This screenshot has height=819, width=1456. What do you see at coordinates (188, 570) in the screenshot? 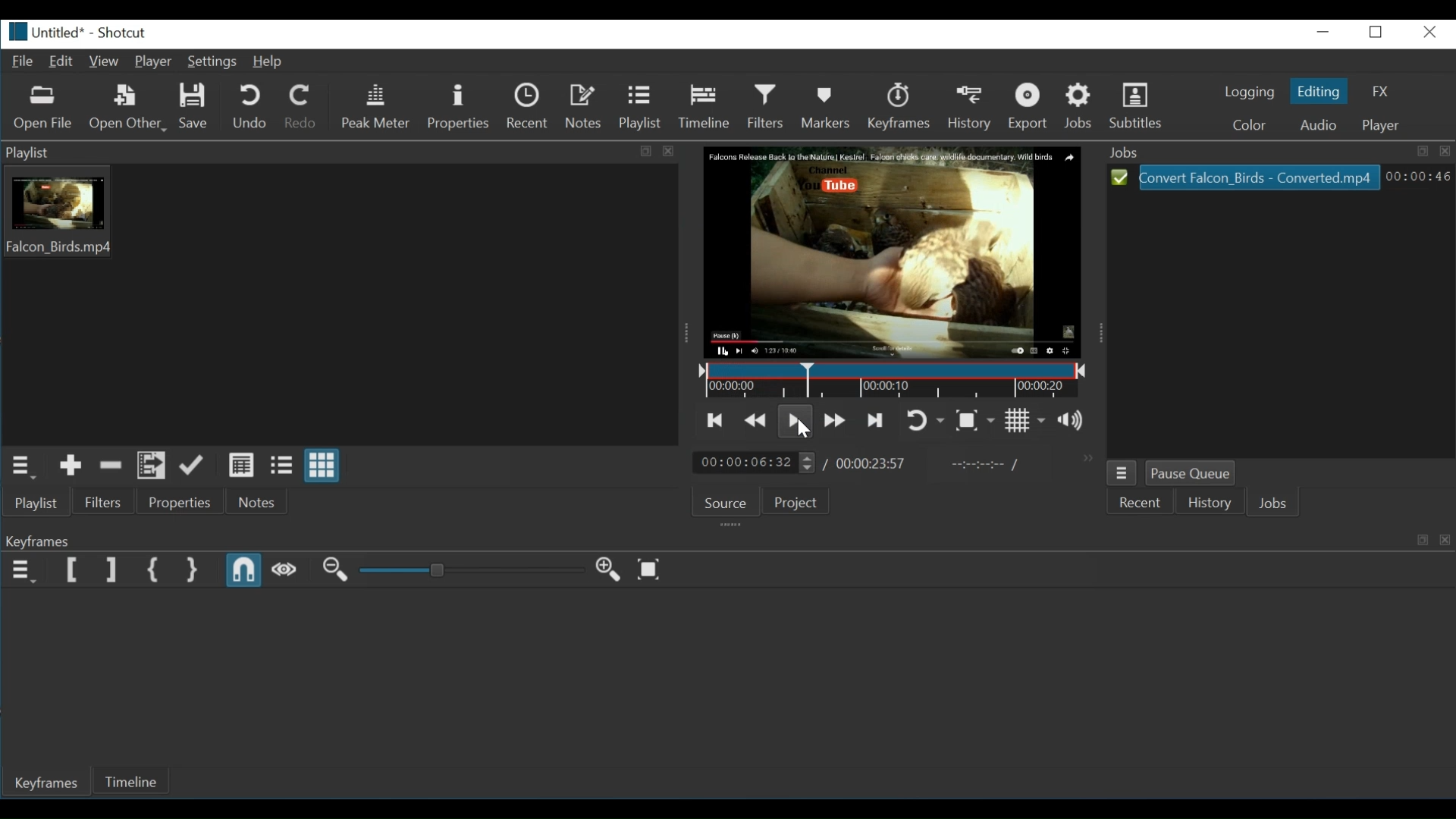
I see `Set Second Simple Keyframe` at bounding box center [188, 570].